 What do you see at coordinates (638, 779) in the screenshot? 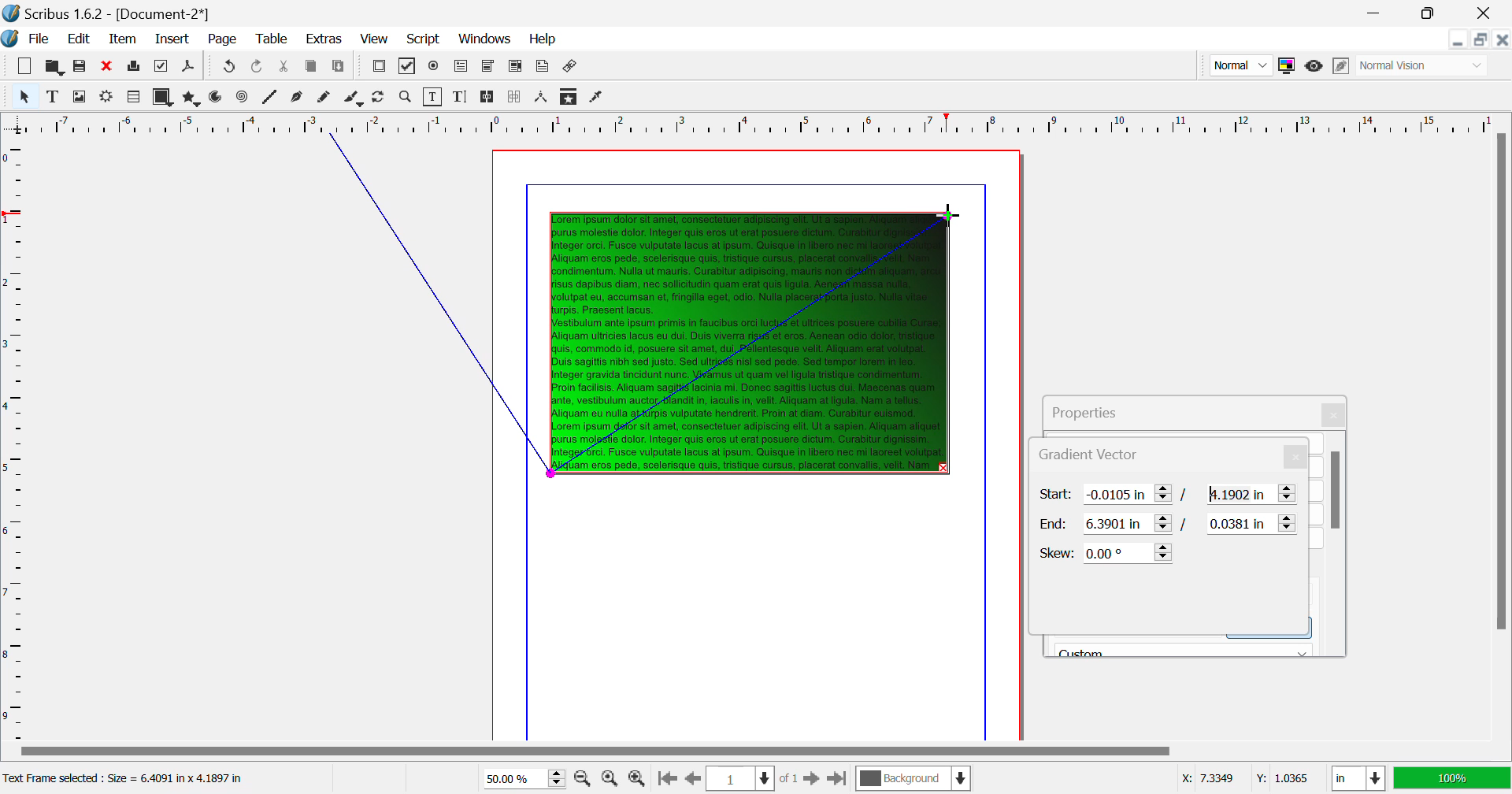
I see `Zoom In` at bounding box center [638, 779].